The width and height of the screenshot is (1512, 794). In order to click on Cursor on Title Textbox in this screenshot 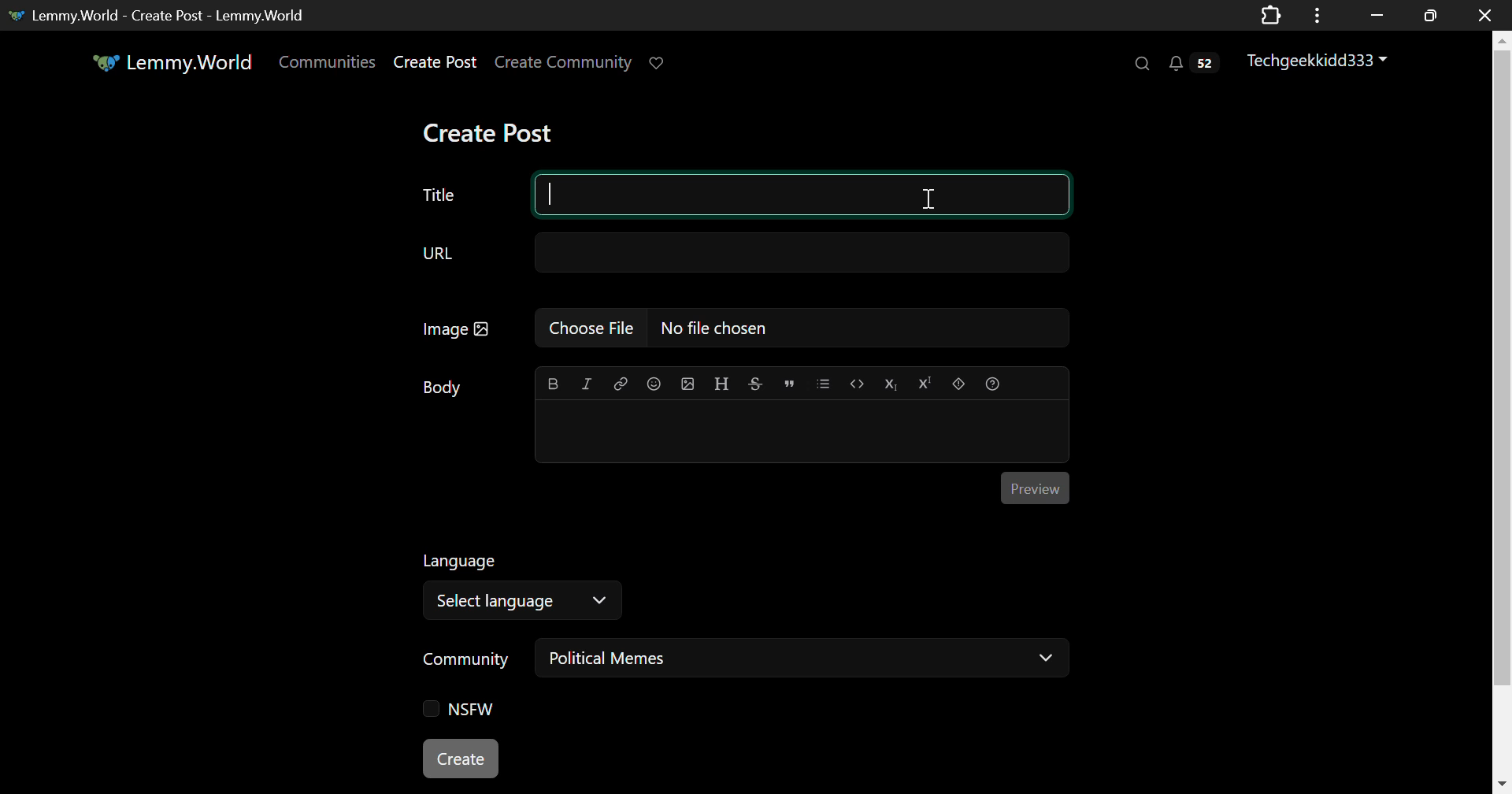, I will do `click(929, 198)`.